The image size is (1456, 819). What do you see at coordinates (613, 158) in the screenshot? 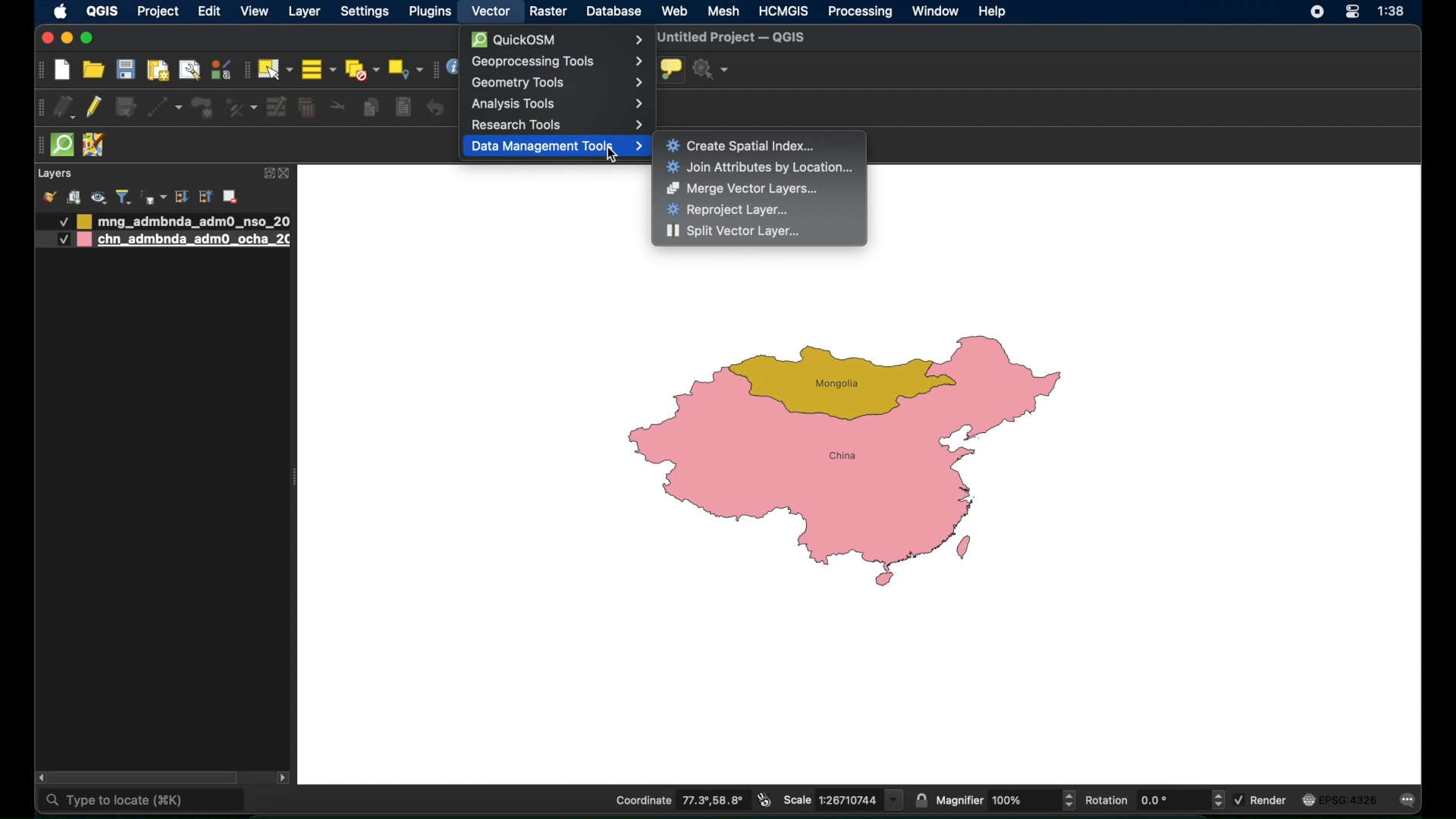
I see `cursor` at bounding box center [613, 158].